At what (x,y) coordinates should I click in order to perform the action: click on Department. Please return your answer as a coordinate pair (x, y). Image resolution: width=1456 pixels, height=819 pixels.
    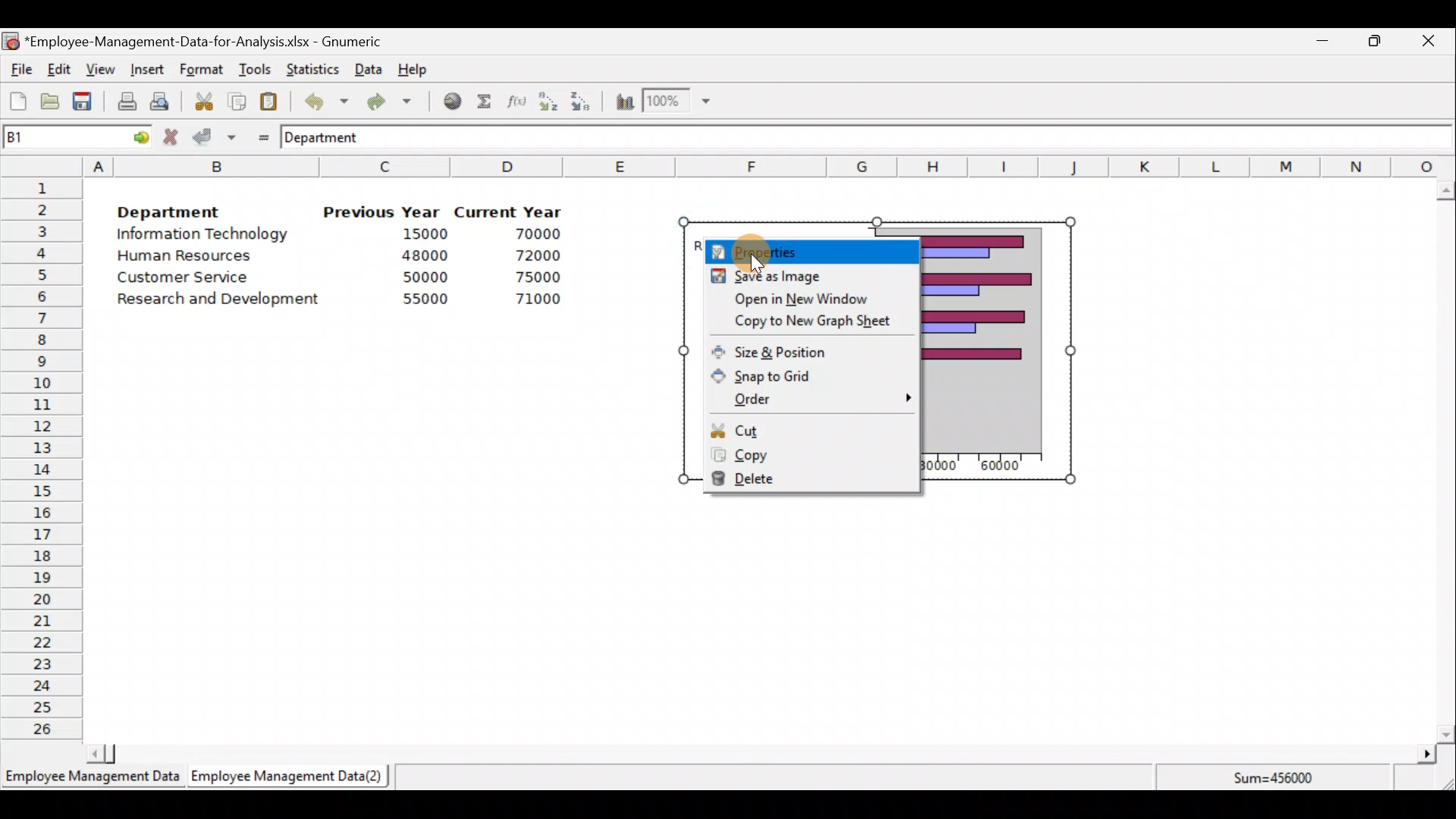
    Looking at the image, I should click on (168, 208).